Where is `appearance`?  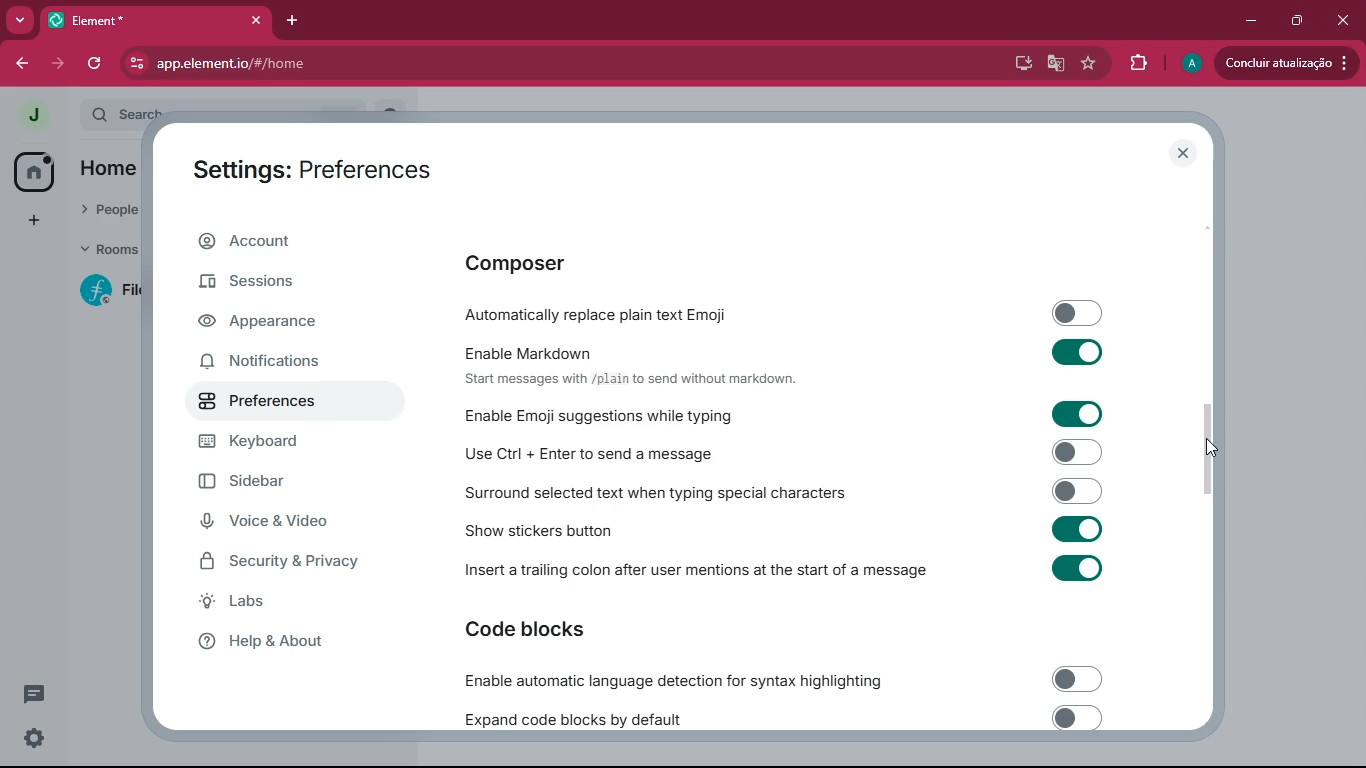 appearance is located at coordinates (268, 325).